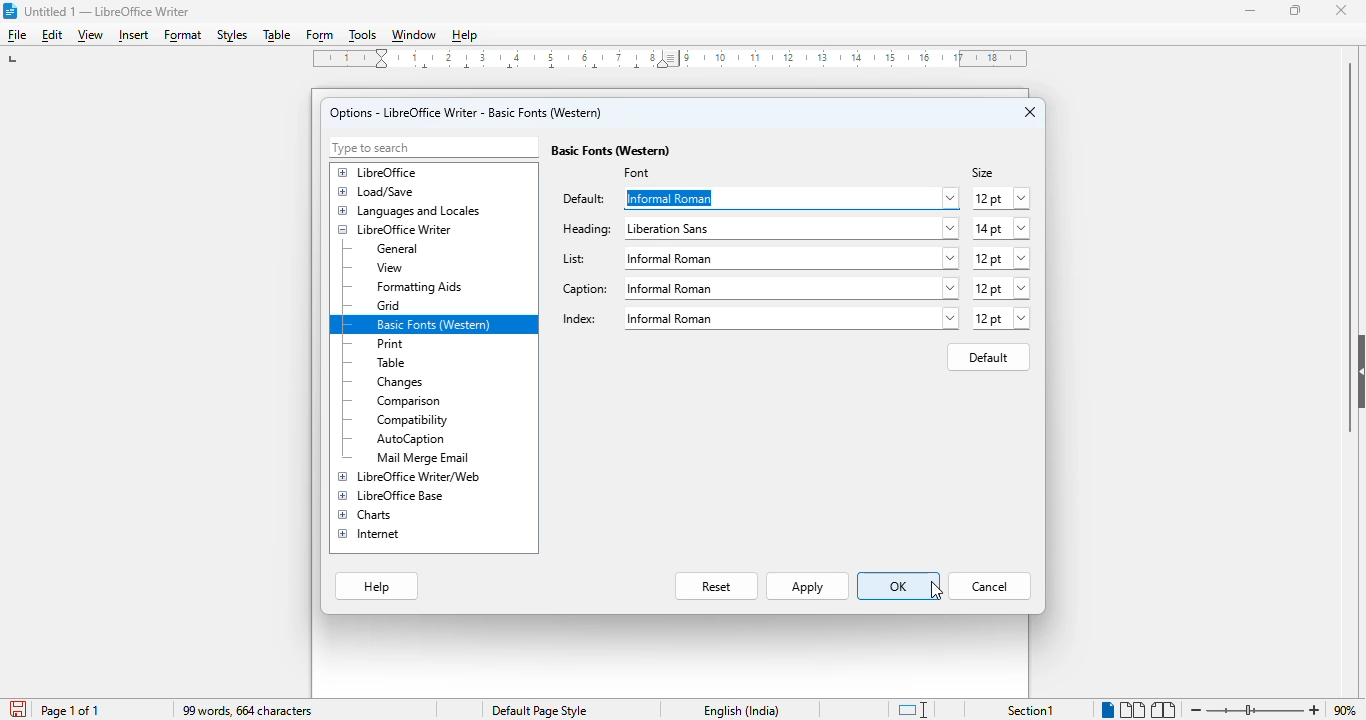  I want to click on zoom in or zoom out bar, so click(1255, 710).